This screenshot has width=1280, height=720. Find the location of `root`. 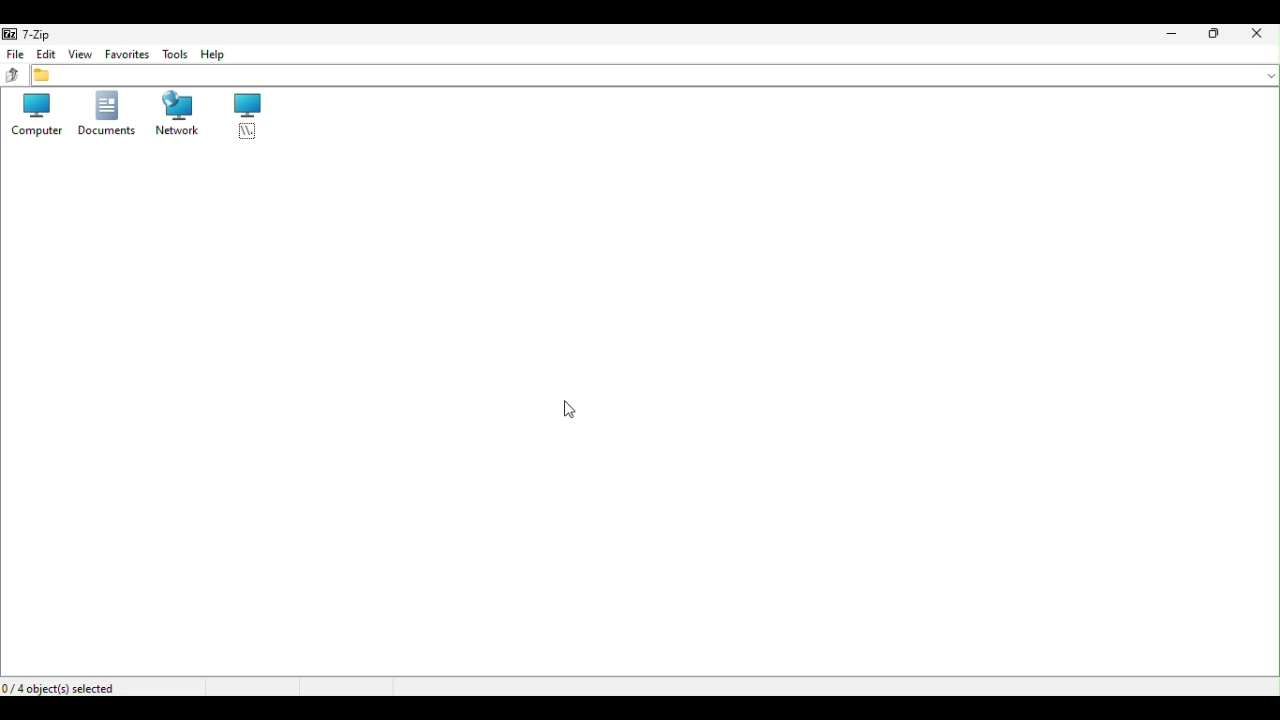

root is located at coordinates (244, 117).